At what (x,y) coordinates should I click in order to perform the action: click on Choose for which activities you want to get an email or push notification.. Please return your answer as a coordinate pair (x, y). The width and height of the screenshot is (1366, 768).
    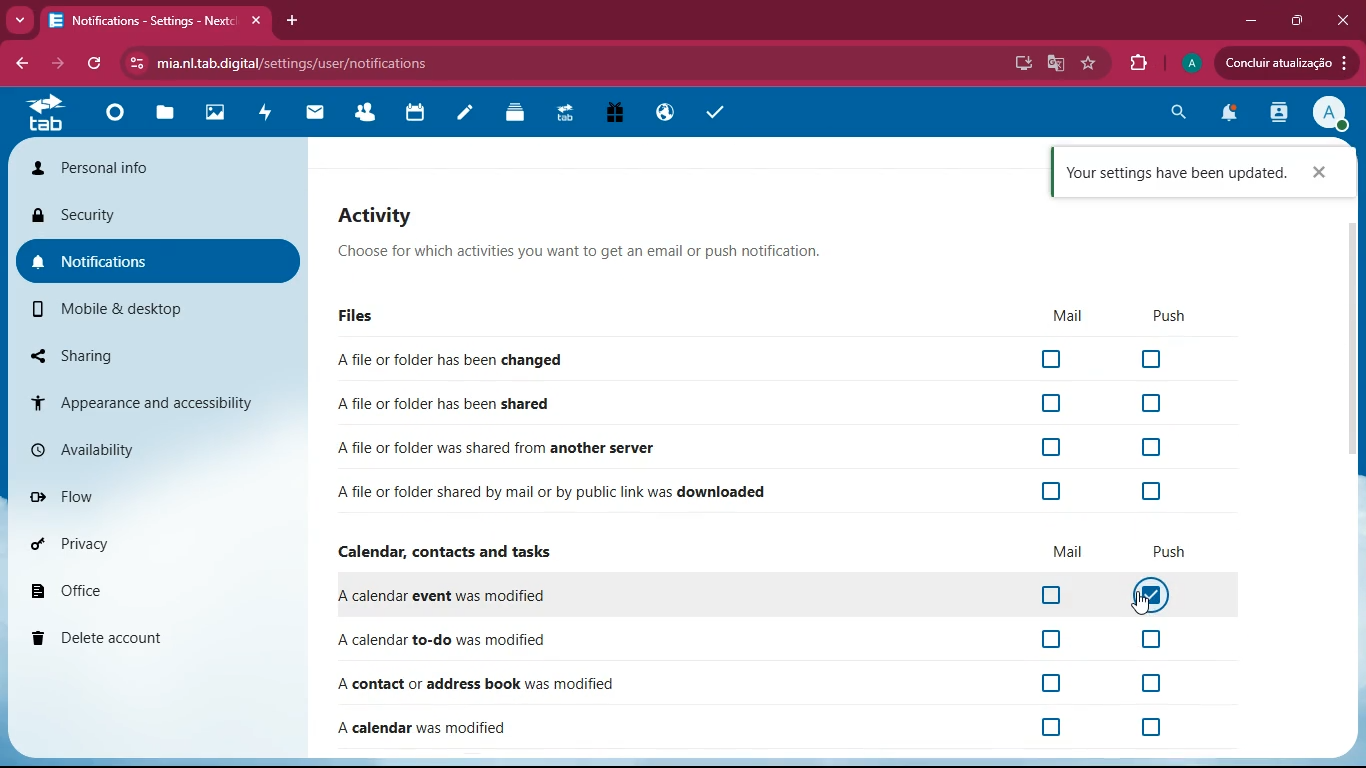
    Looking at the image, I should click on (575, 255).